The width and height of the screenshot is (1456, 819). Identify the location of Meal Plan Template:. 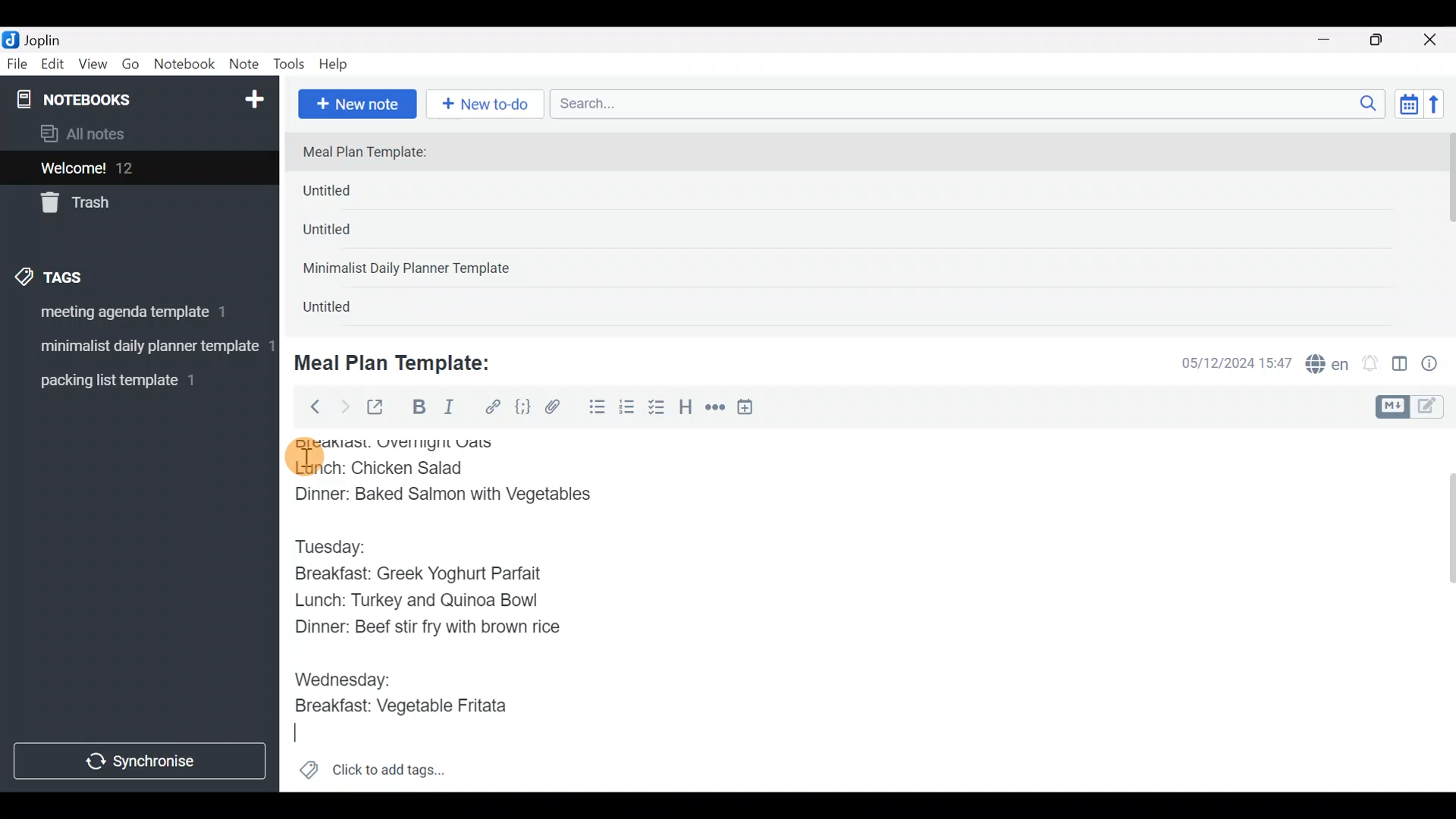
(374, 153).